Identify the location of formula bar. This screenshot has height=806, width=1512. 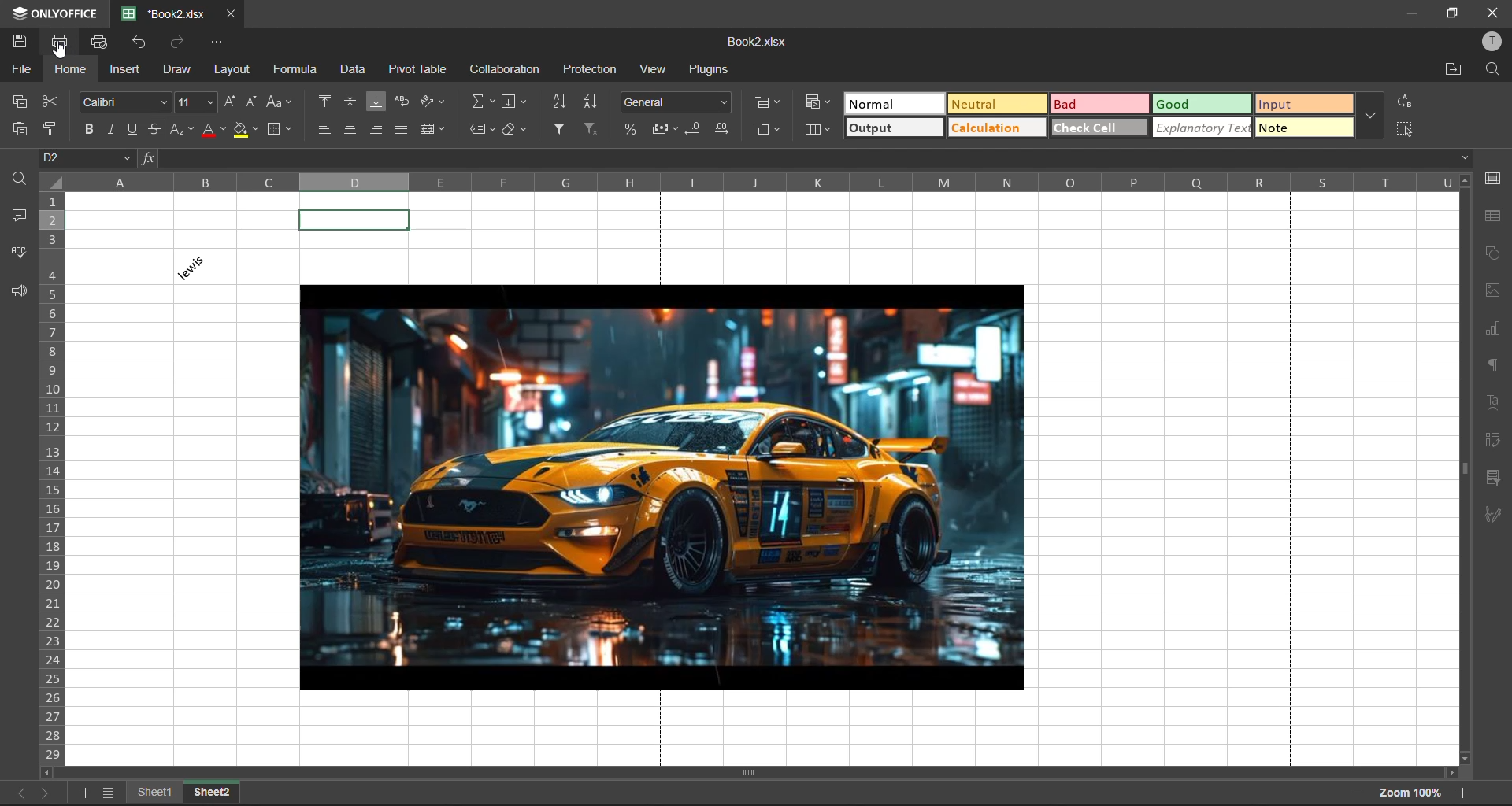
(806, 157).